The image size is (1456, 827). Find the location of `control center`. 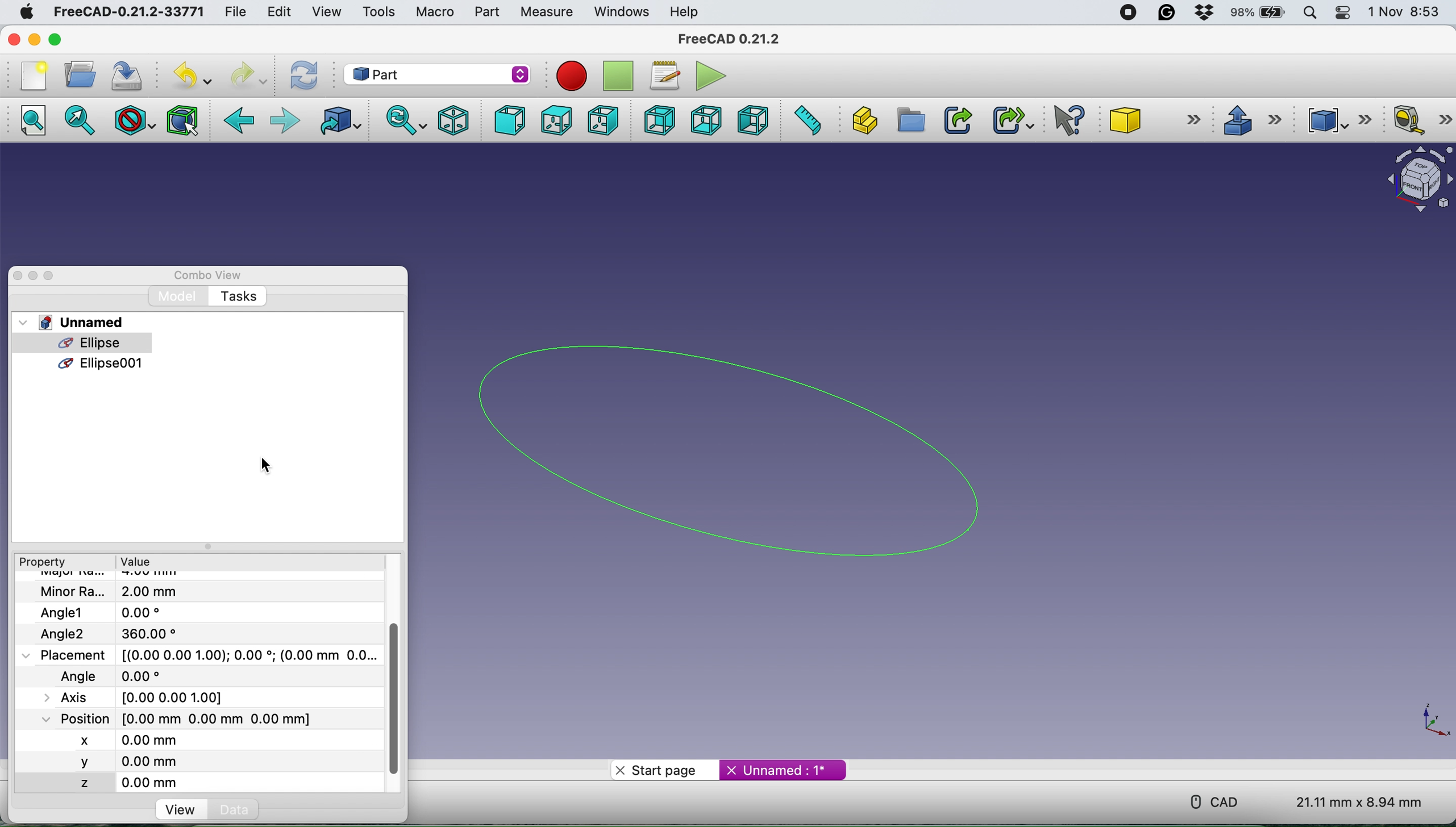

control center is located at coordinates (1341, 13).